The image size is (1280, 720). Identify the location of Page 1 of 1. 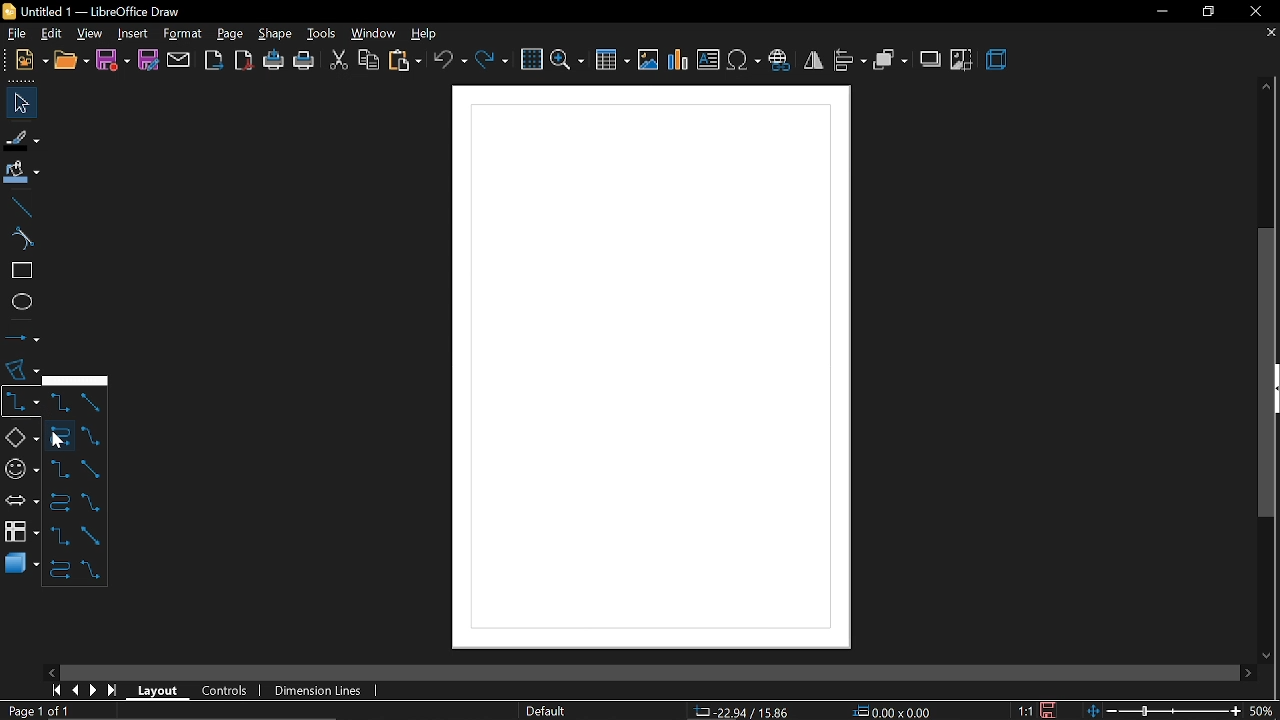
(44, 711).